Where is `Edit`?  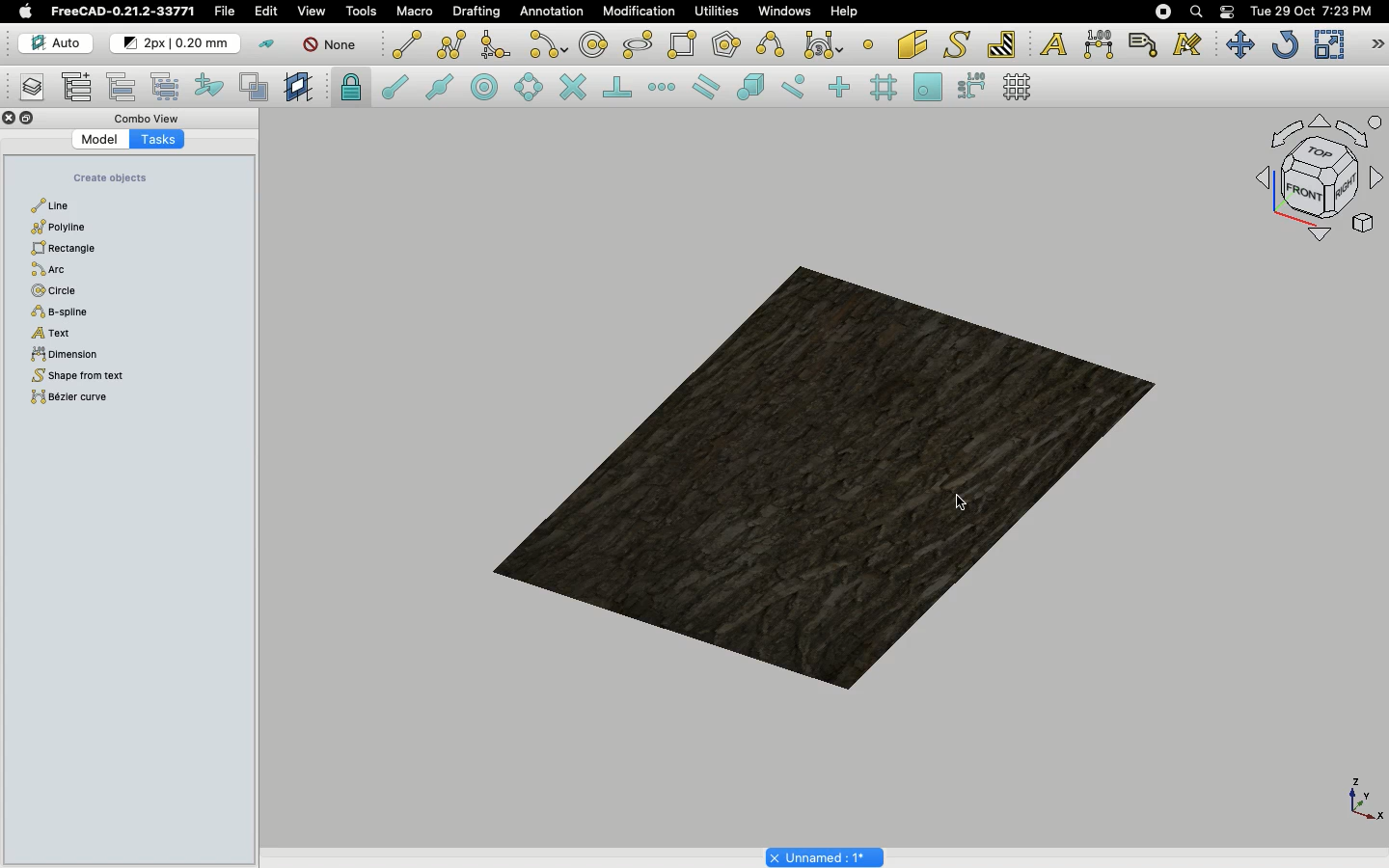
Edit is located at coordinates (267, 13).